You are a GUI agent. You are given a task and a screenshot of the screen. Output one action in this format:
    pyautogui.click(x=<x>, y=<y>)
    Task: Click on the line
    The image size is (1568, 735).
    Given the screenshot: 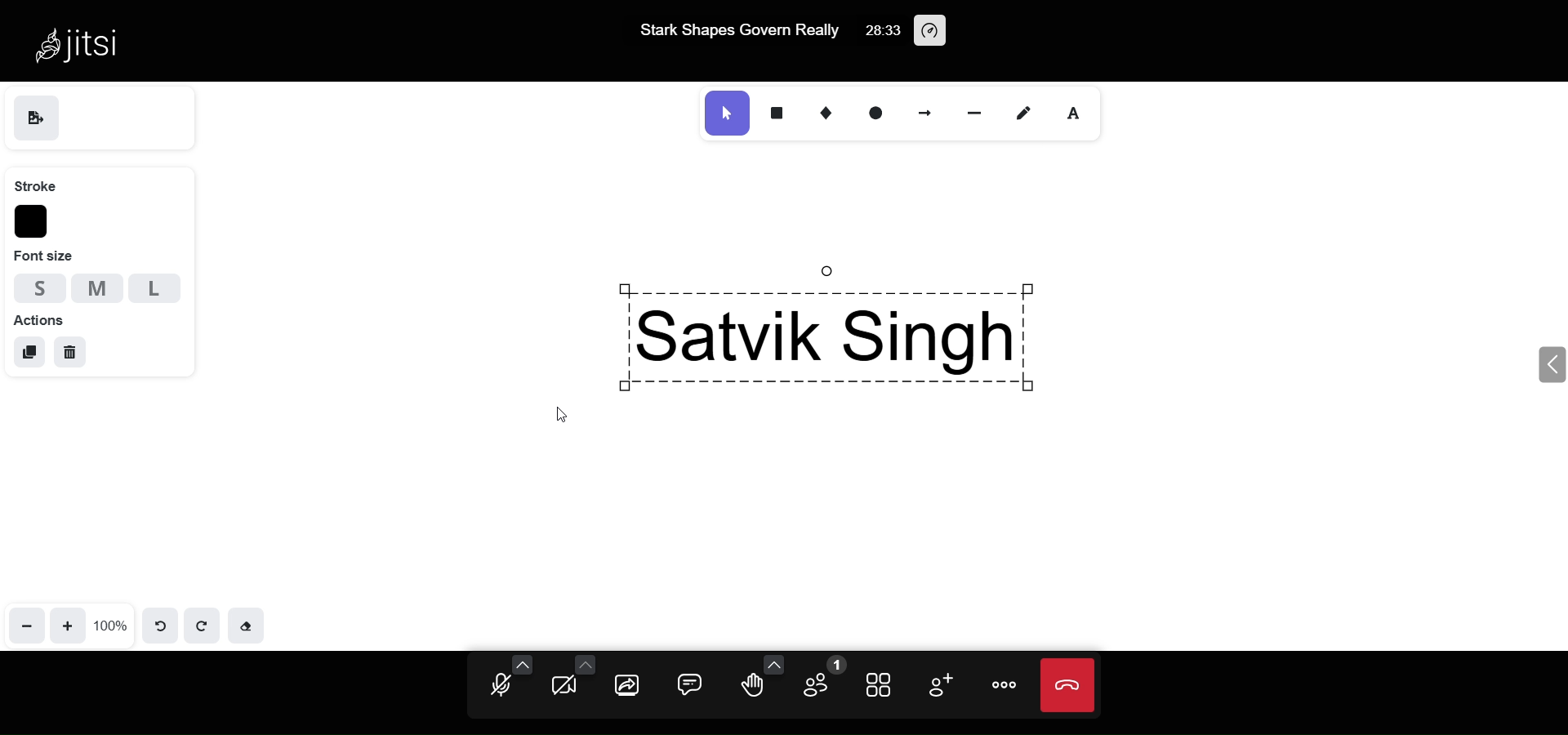 What is the action you would take?
    pyautogui.click(x=972, y=111)
    